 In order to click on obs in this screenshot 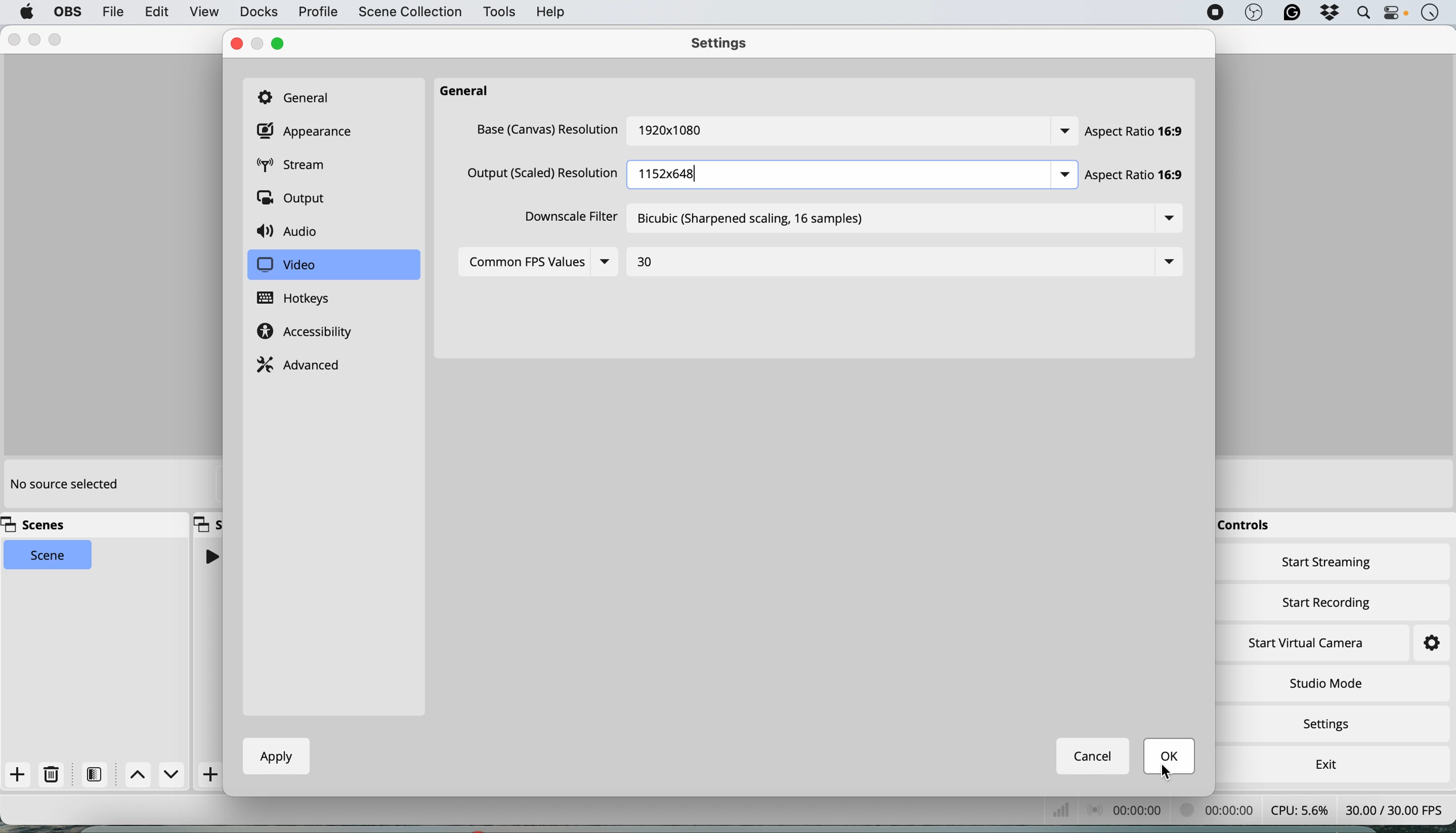, I will do `click(1254, 13)`.